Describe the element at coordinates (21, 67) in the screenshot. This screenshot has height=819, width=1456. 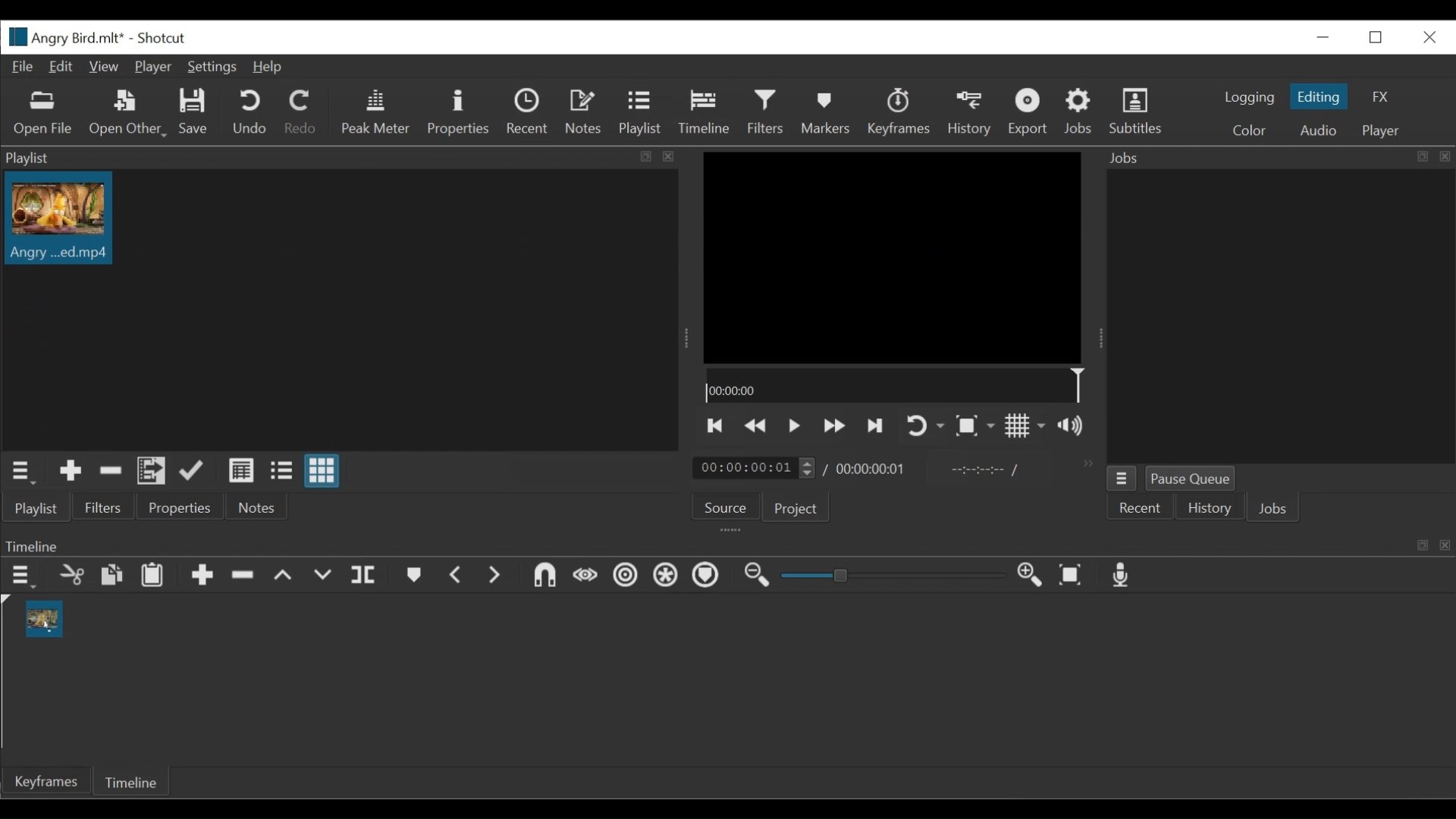
I see `File` at that location.